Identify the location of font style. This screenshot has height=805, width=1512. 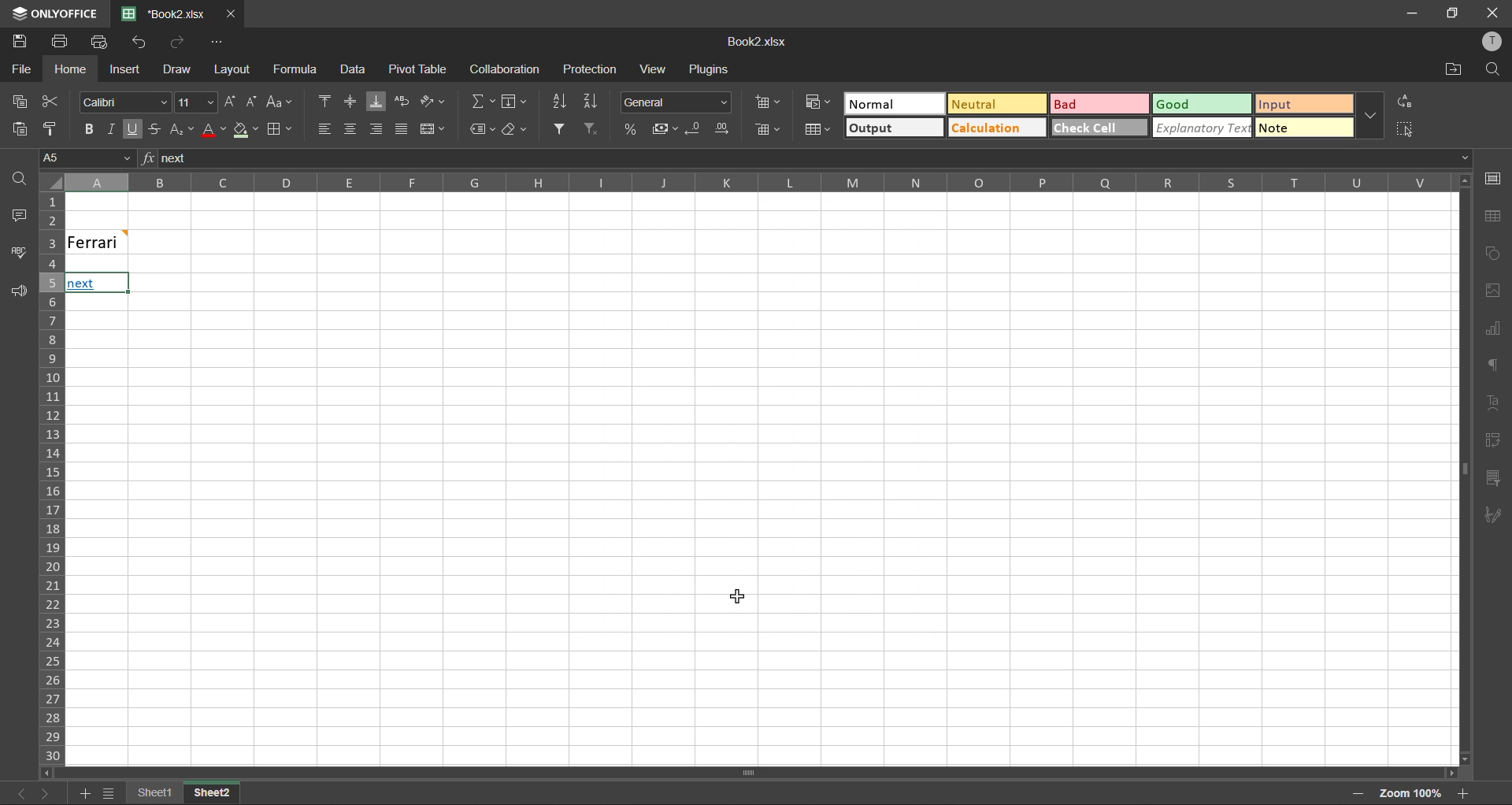
(127, 103).